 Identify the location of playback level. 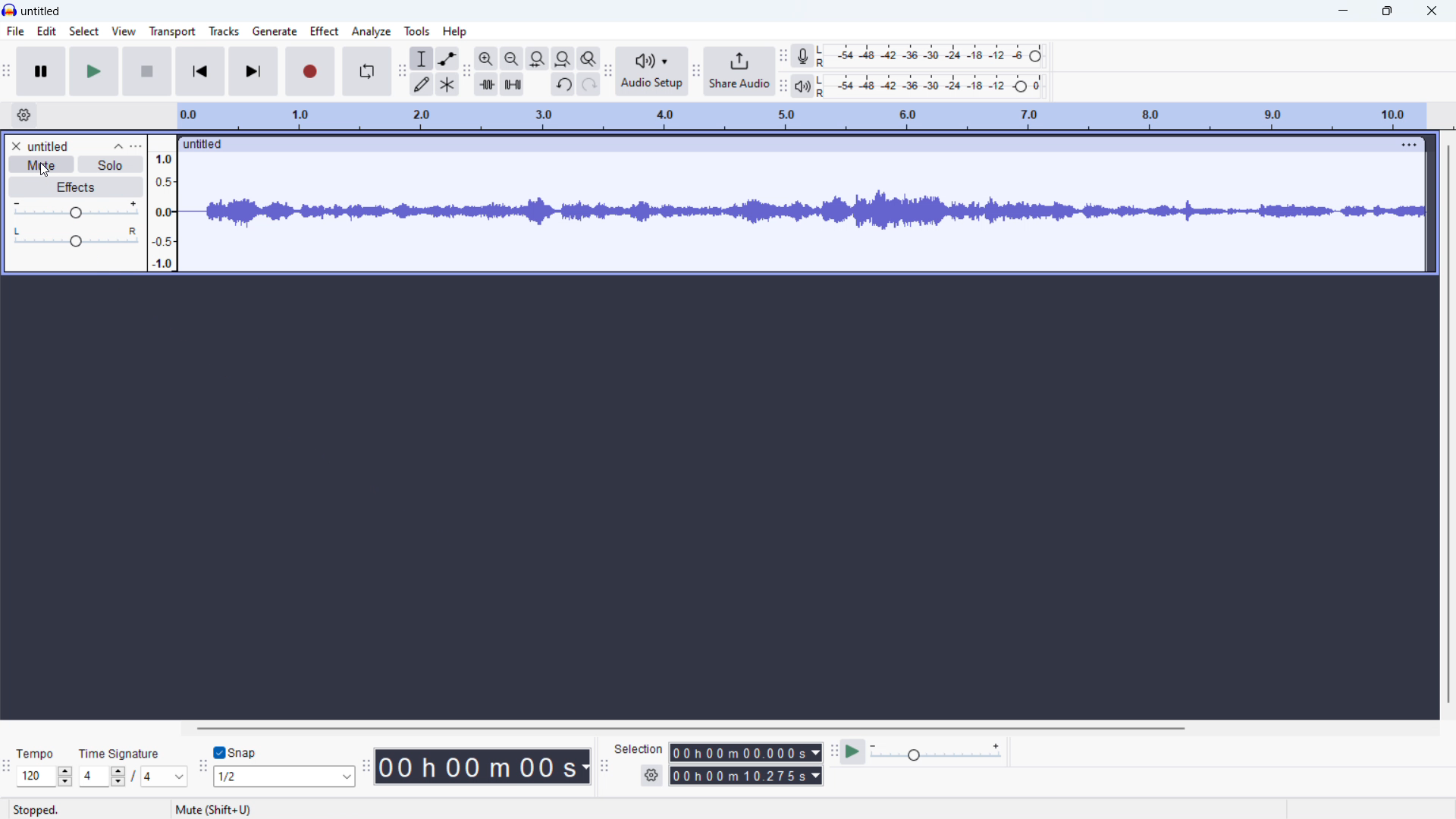
(930, 86).